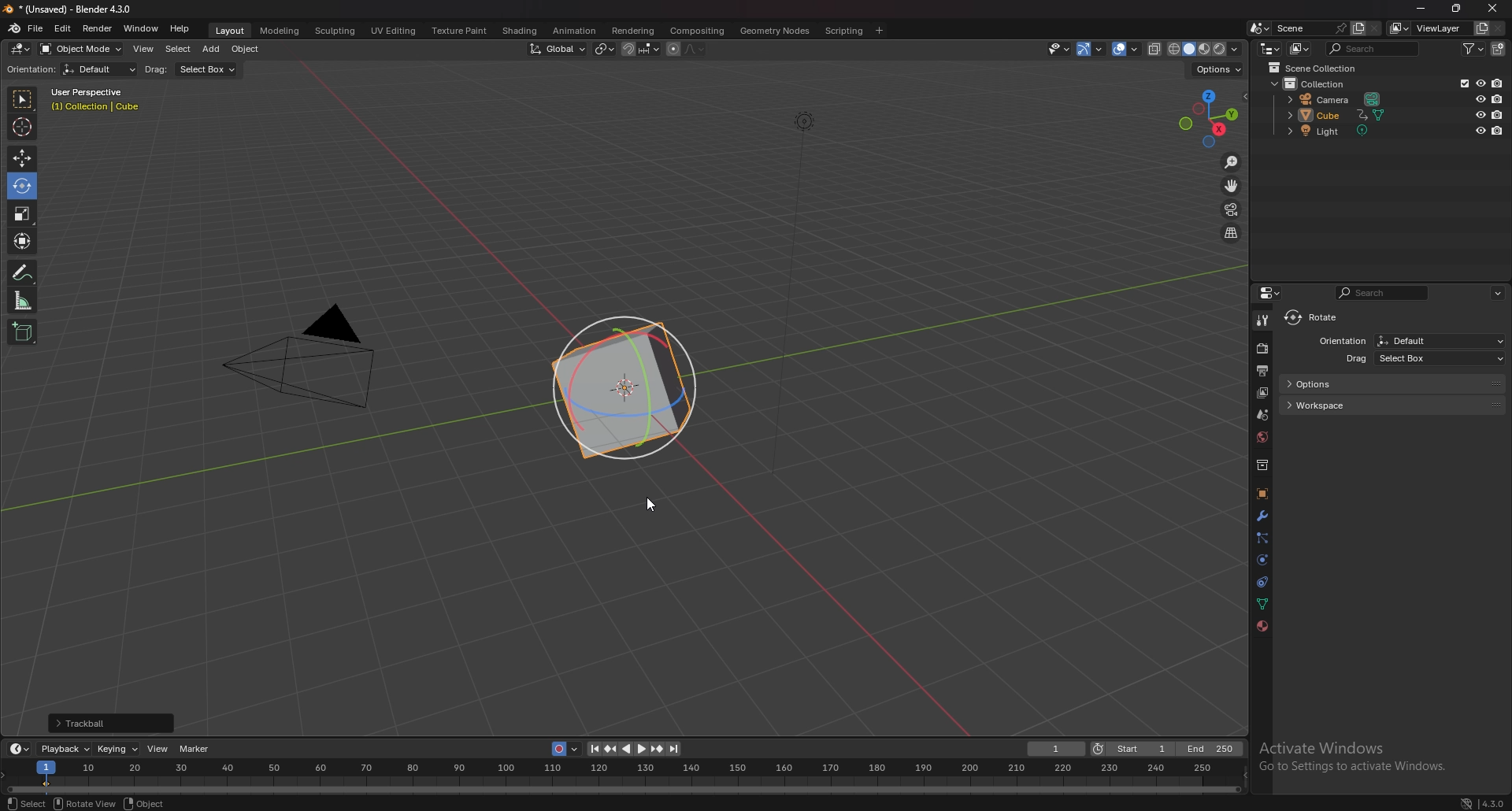  I want to click on toggle xray, so click(1155, 49).